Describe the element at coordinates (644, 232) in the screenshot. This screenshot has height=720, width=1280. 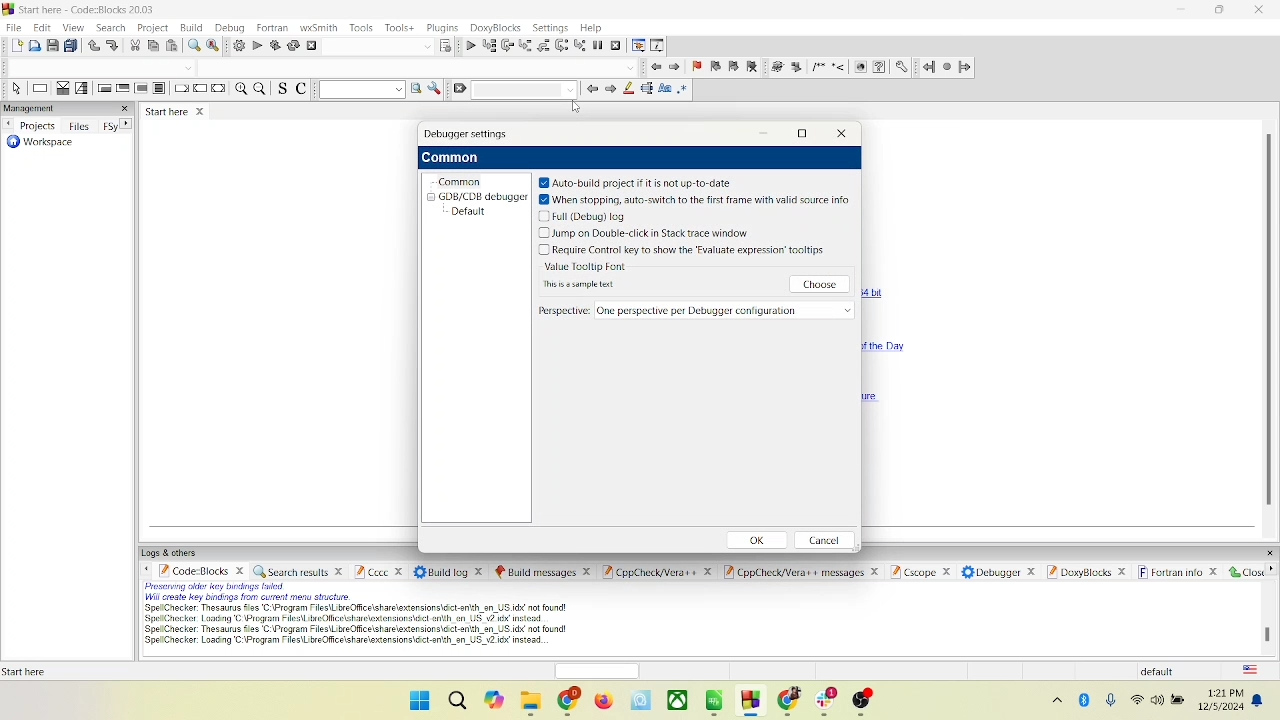
I see `jump on double click in stack trace window` at that location.